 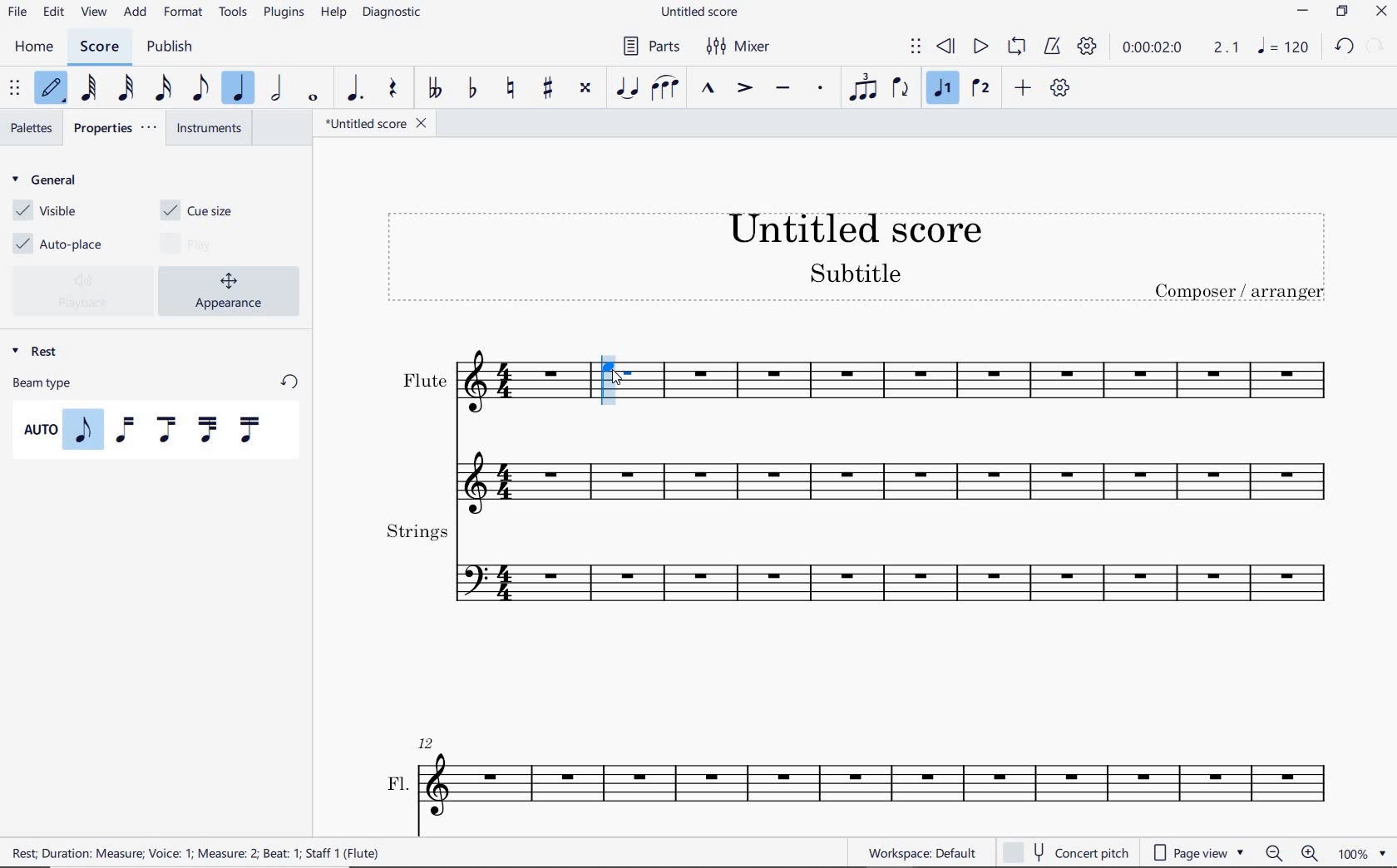 What do you see at coordinates (210, 852) in the screenshot?
I see `REST DURATION` at bounding box center [210, 852].